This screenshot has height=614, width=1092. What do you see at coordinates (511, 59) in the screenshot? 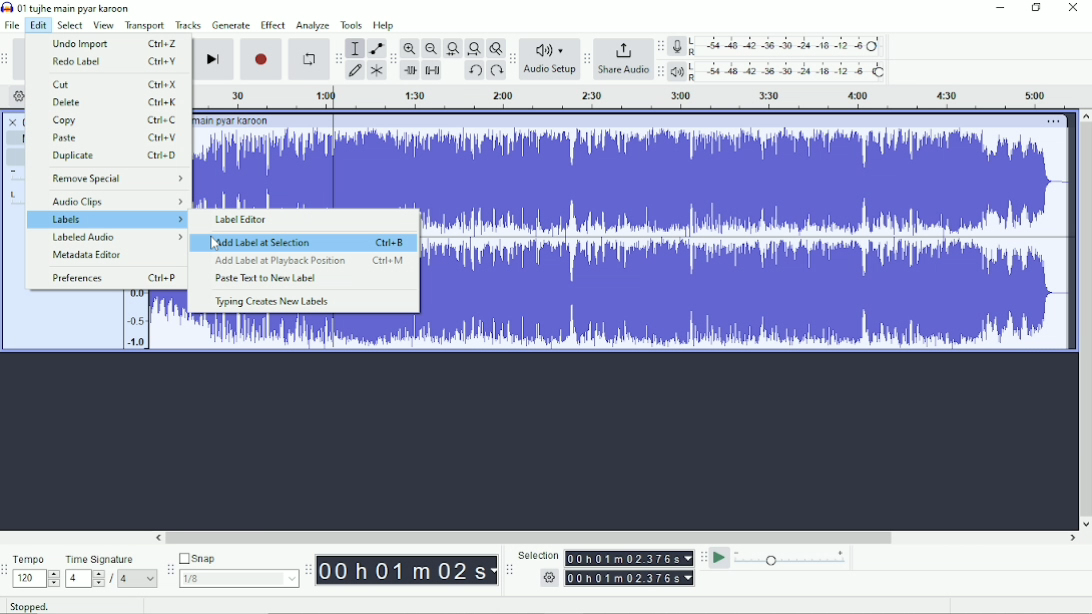
I see `Audacity audio setup tollbar` at bounding box center [511, 59].